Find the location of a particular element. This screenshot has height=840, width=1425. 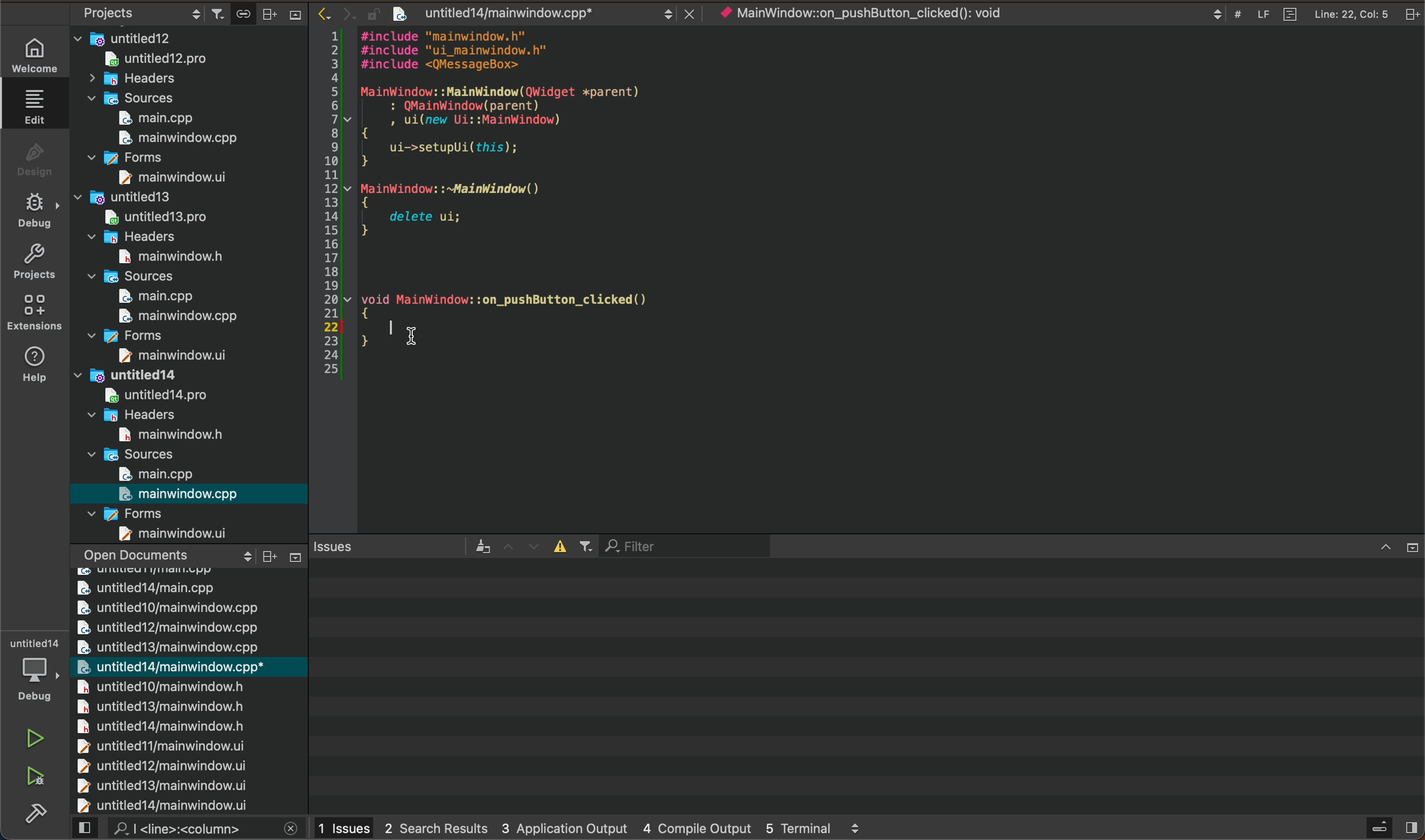

DE is located at coordinates (32, 212).